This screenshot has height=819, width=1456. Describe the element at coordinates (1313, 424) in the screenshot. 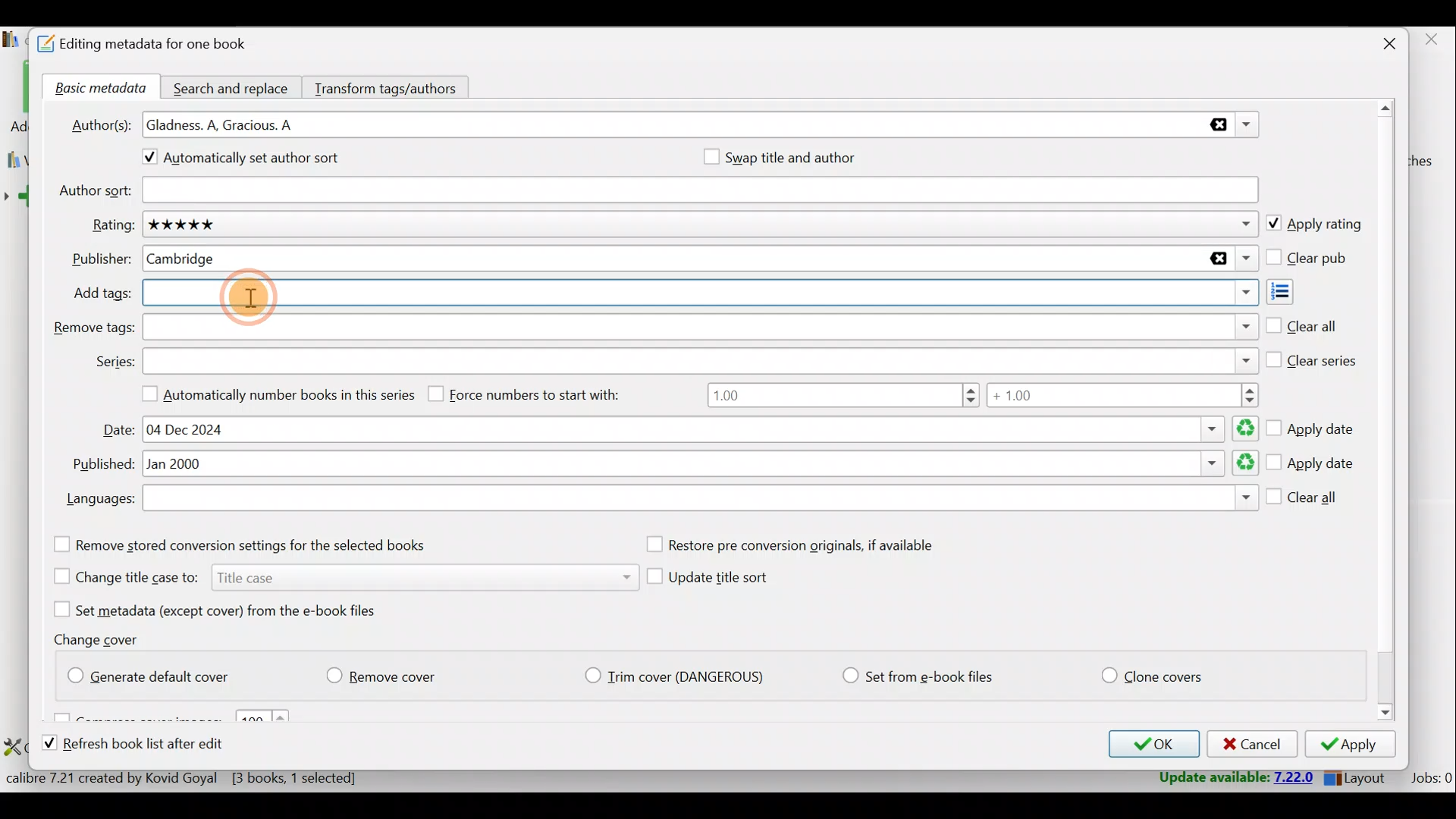

I see `Apply date` at that location.